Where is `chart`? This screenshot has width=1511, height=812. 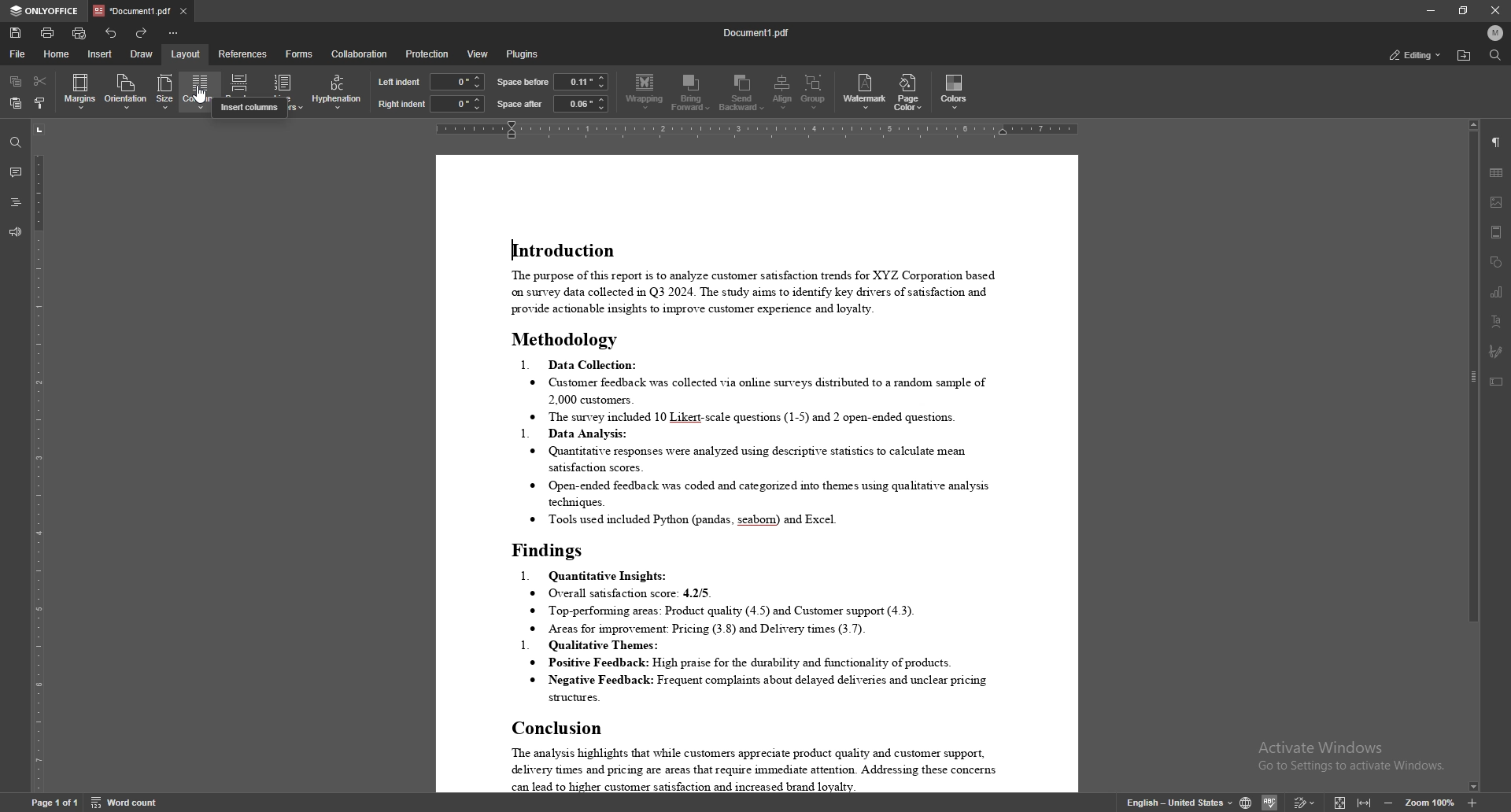 chart is located at coordinates (1497, 291).